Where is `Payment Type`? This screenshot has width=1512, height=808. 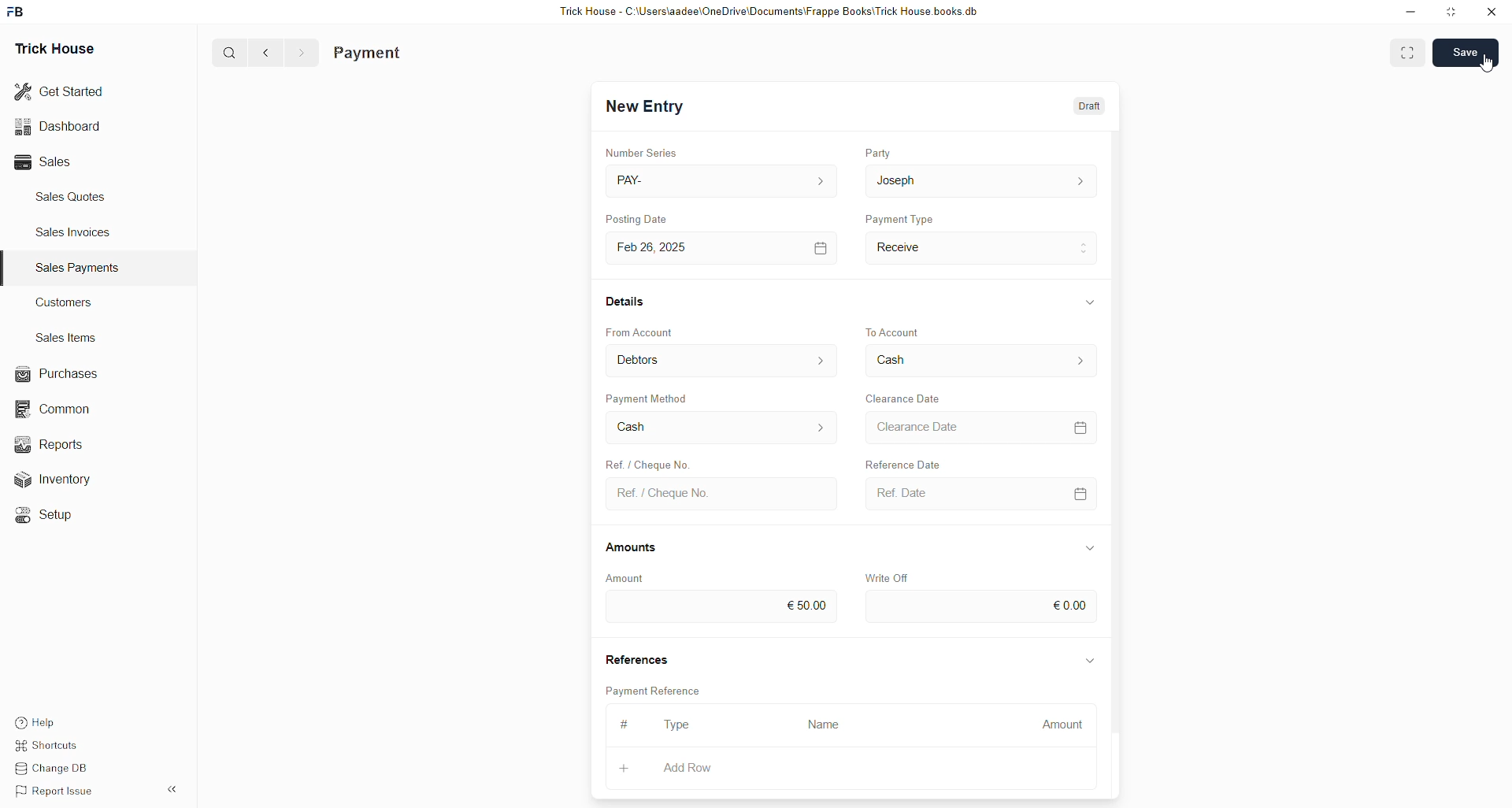 Payment Type is located at coordinates (899, 218).